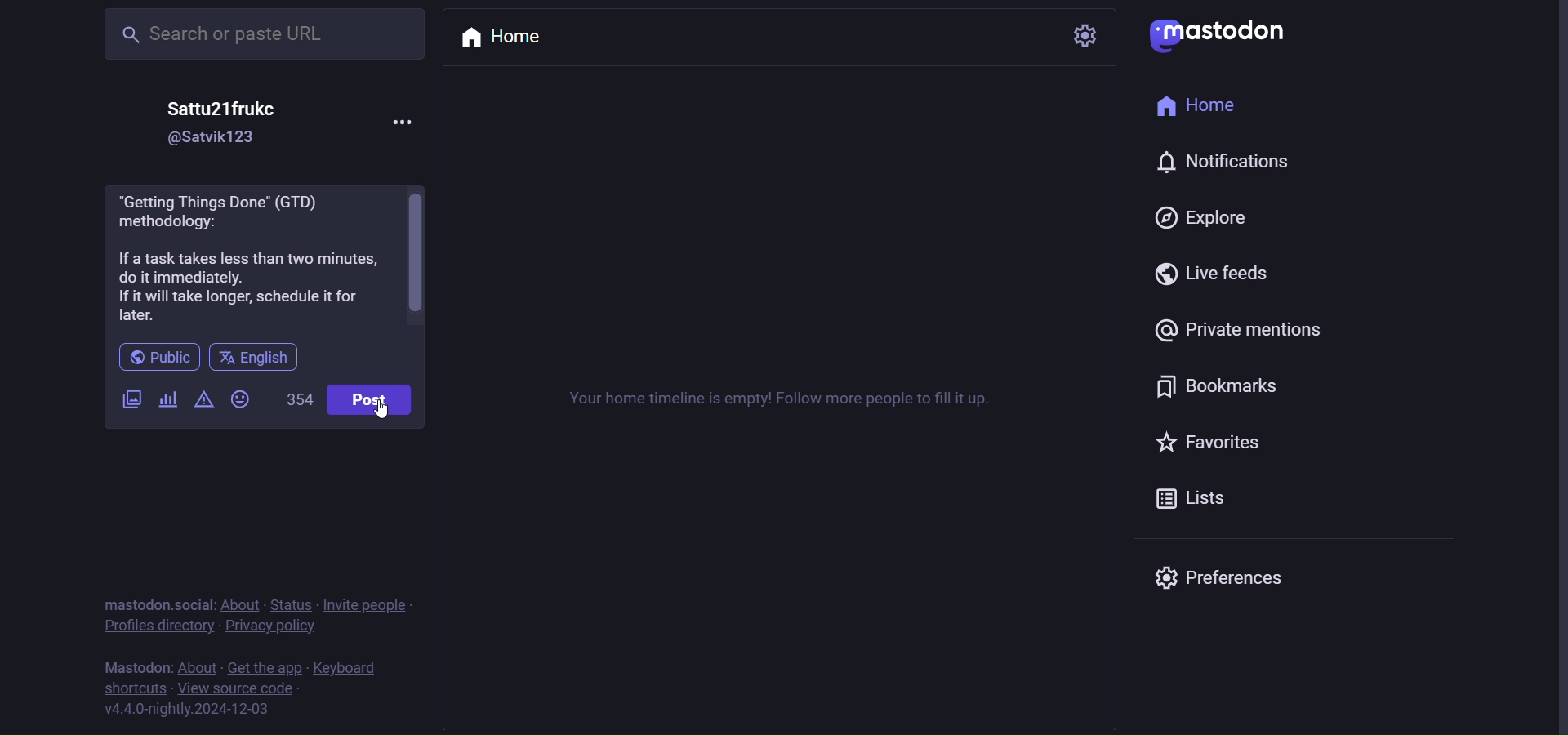 This screenshot has width=1568, height=735. I want to click on scroll bar, so click(419, 254).